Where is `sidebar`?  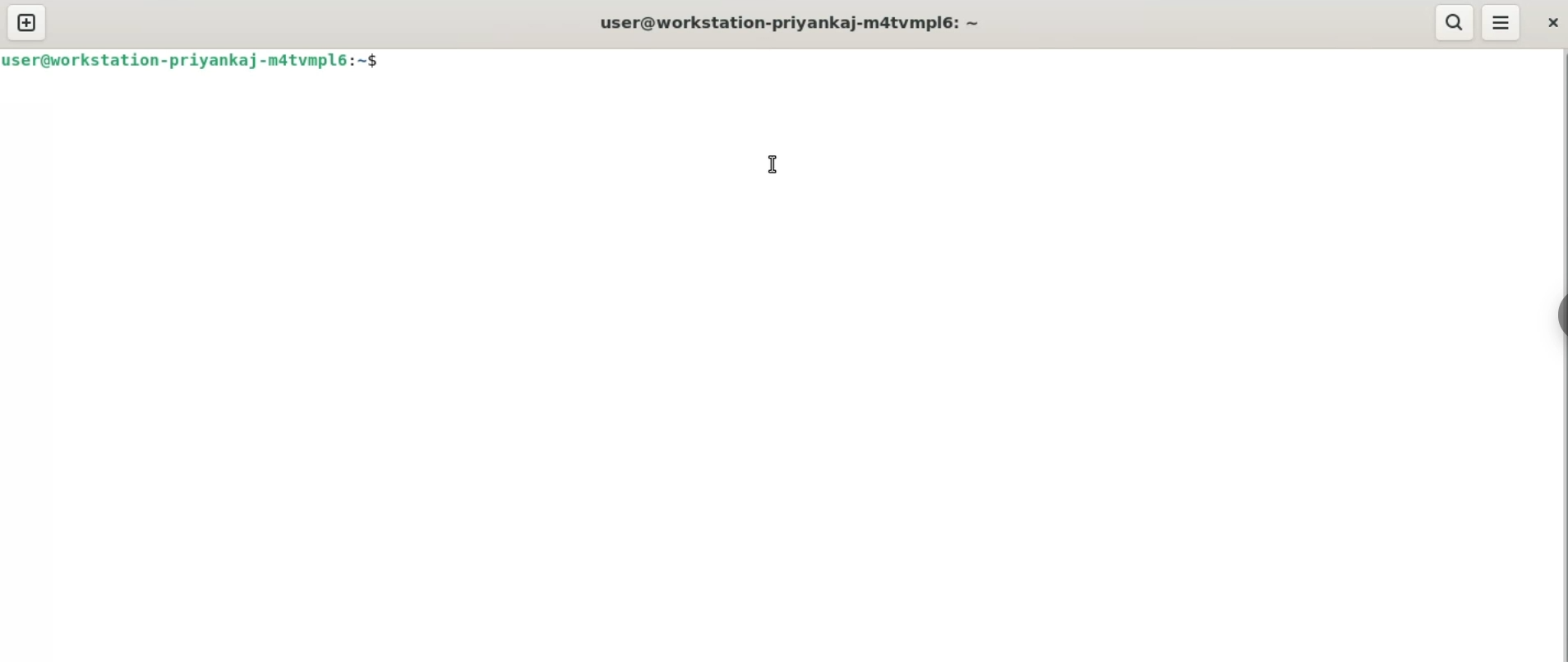
sidebar is located at coordinates (1560, 317).